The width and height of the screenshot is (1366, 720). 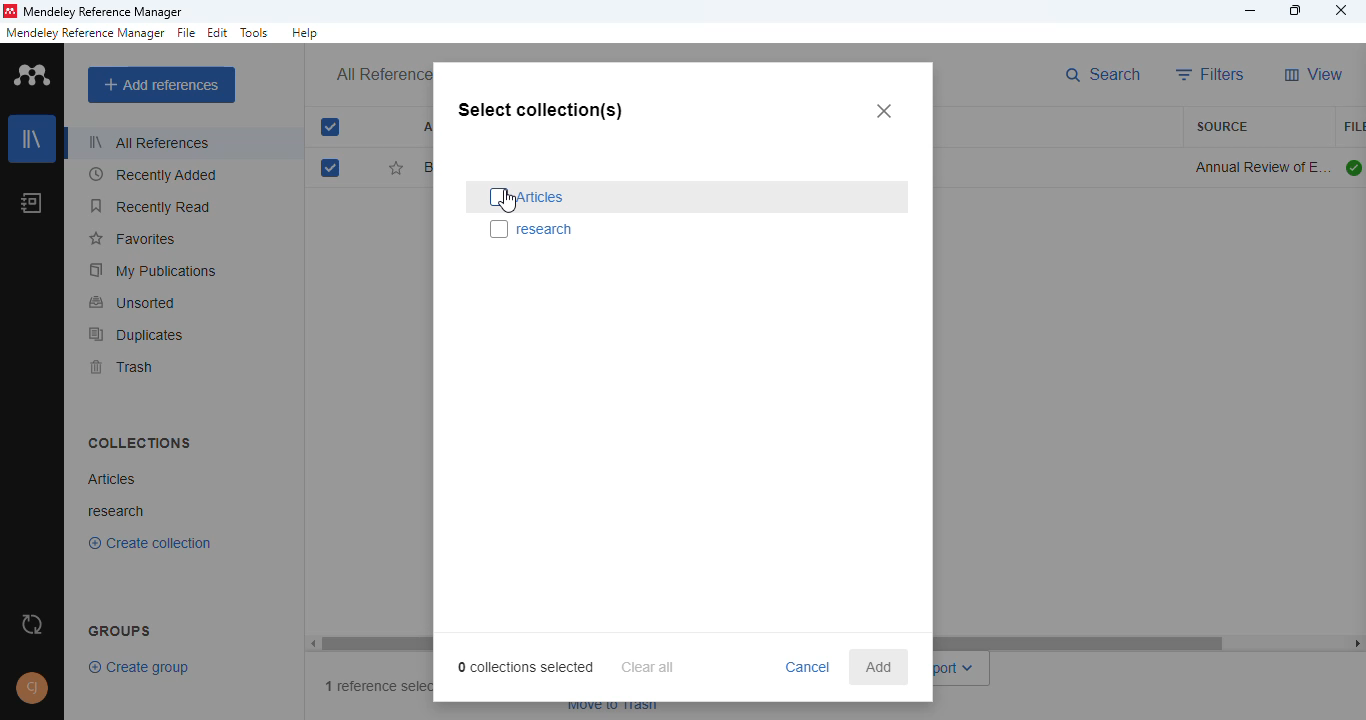 What do you see at coordinates (120, 628) in the screenshot?
I see `groups` at bounding box center [120, 628].